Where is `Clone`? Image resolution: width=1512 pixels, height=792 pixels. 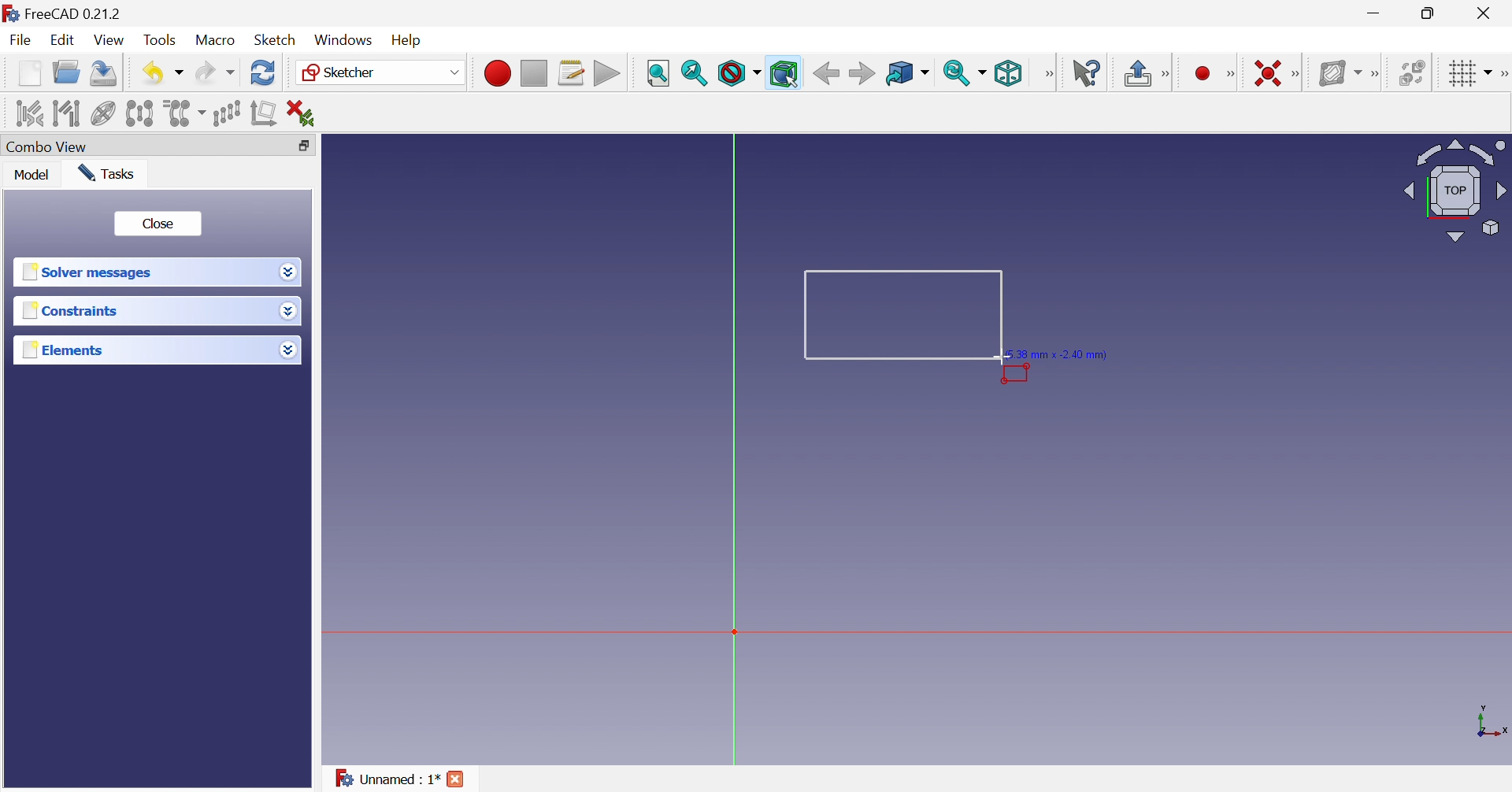
Clone is located at coordinates (183, 114).